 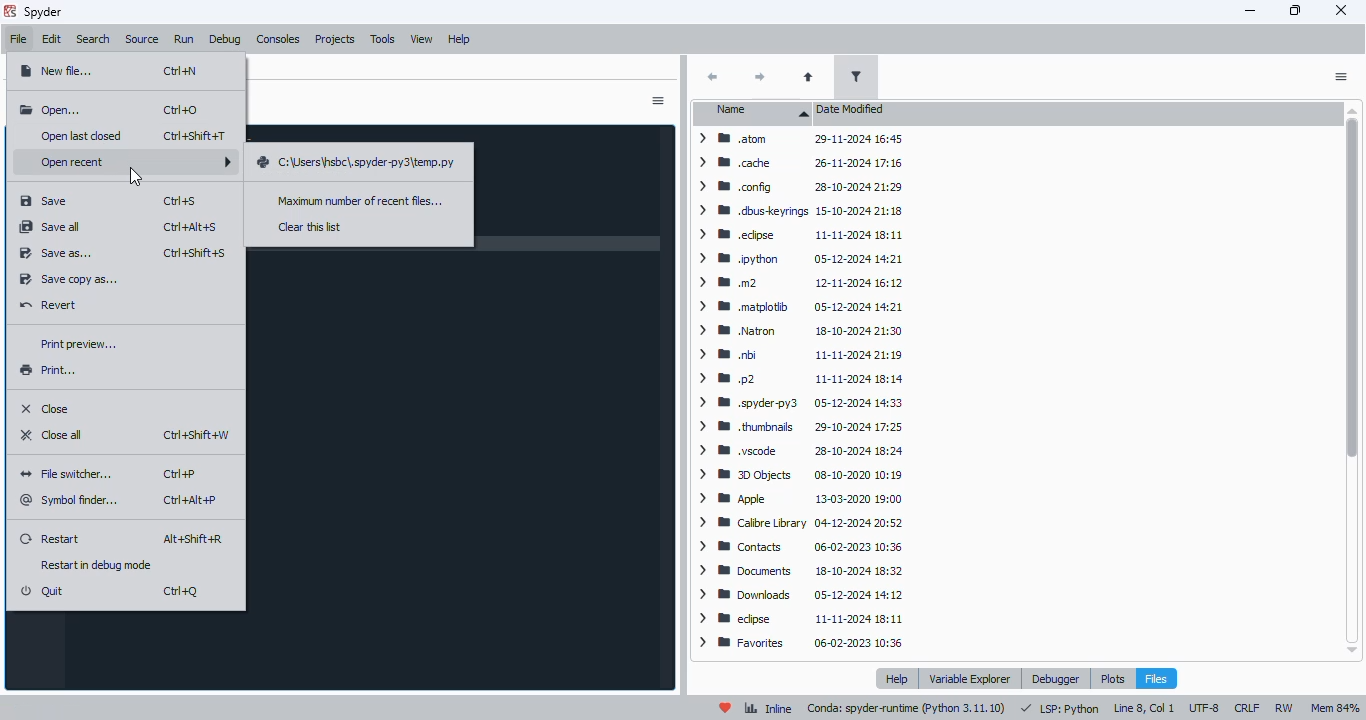 I want to click on save copy as, so click(x=68, y=280).